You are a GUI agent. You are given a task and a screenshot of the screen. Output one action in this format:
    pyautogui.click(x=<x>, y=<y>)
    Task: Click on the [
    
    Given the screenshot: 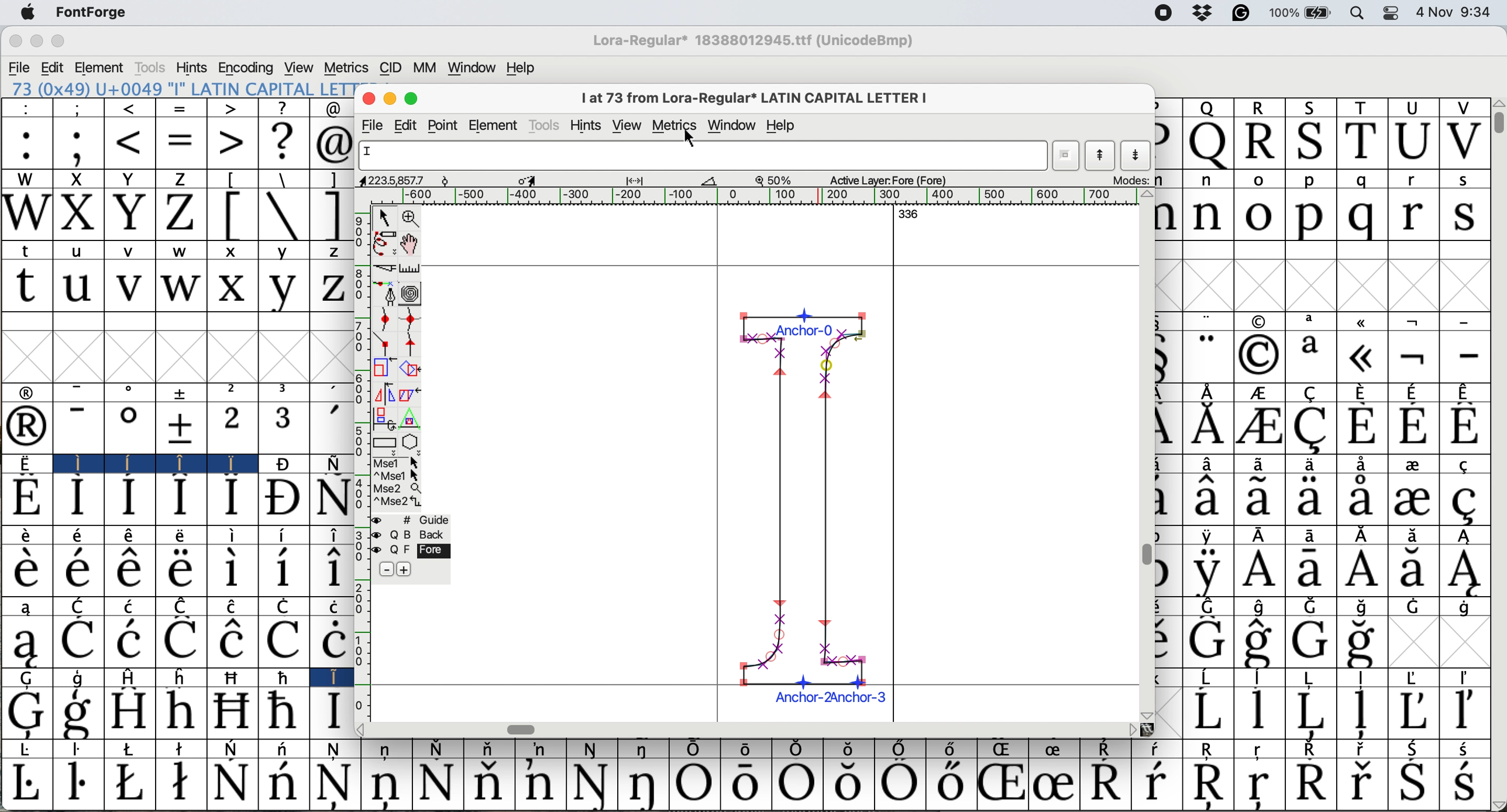 What is the action you would take?
    pyautogui.click(x=232, y=215)
    